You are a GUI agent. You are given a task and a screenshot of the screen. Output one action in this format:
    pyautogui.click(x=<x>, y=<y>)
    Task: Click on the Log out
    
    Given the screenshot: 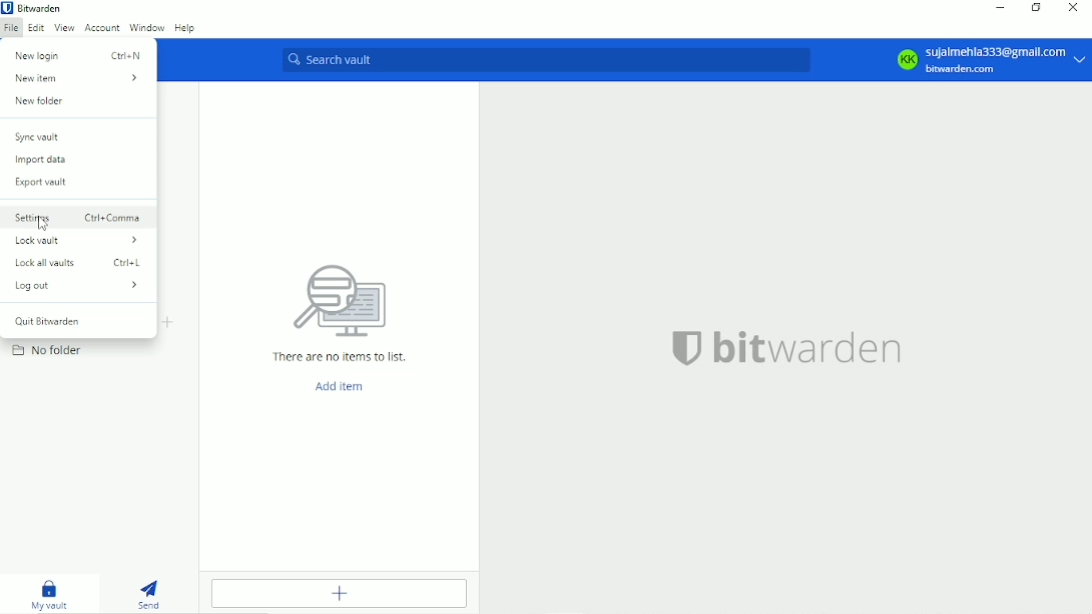 What is the action you would take?
    pyautogui.click(x=75, y=286)
    